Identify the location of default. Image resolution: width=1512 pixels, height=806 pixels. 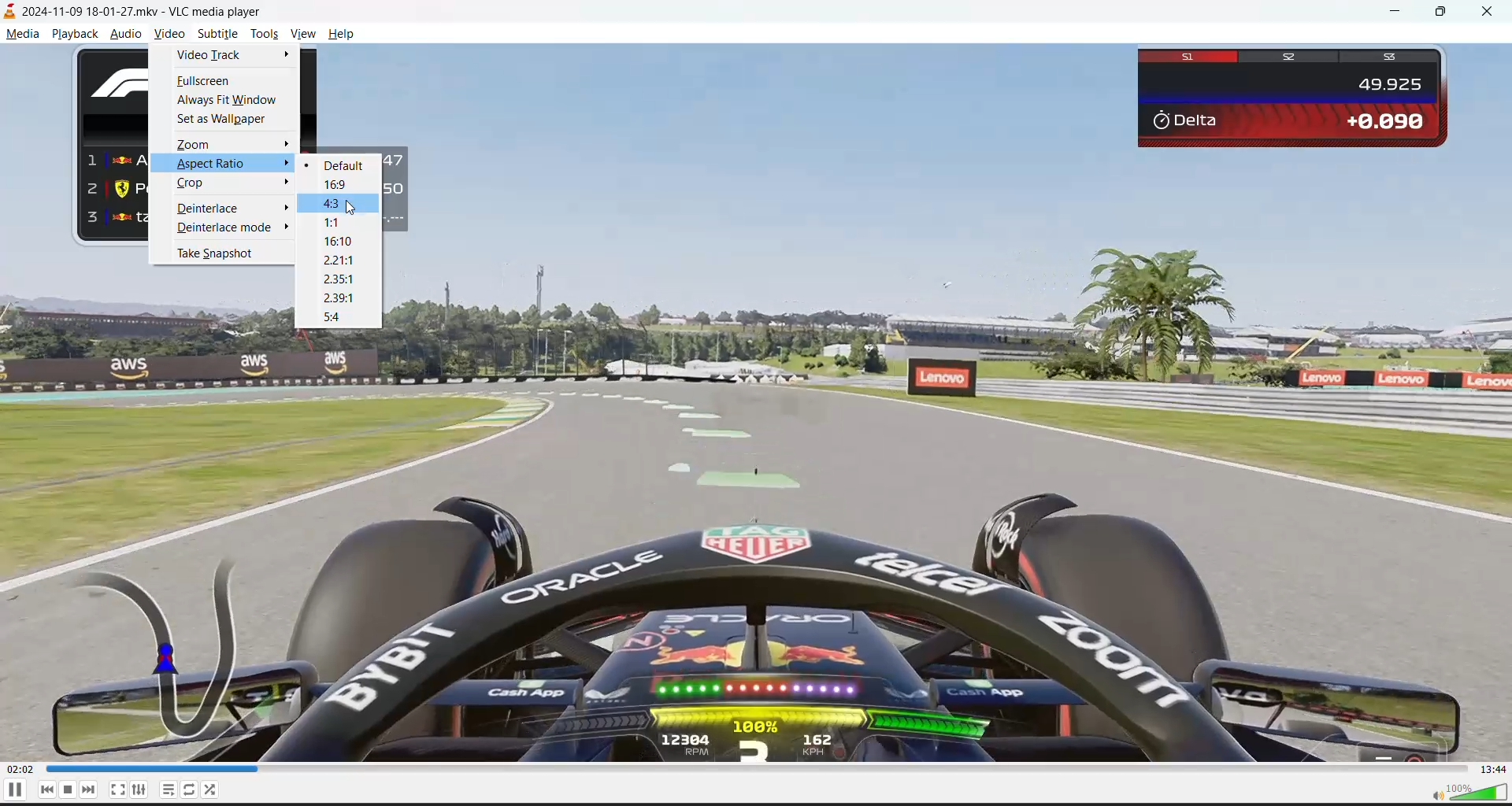
(343, 165).